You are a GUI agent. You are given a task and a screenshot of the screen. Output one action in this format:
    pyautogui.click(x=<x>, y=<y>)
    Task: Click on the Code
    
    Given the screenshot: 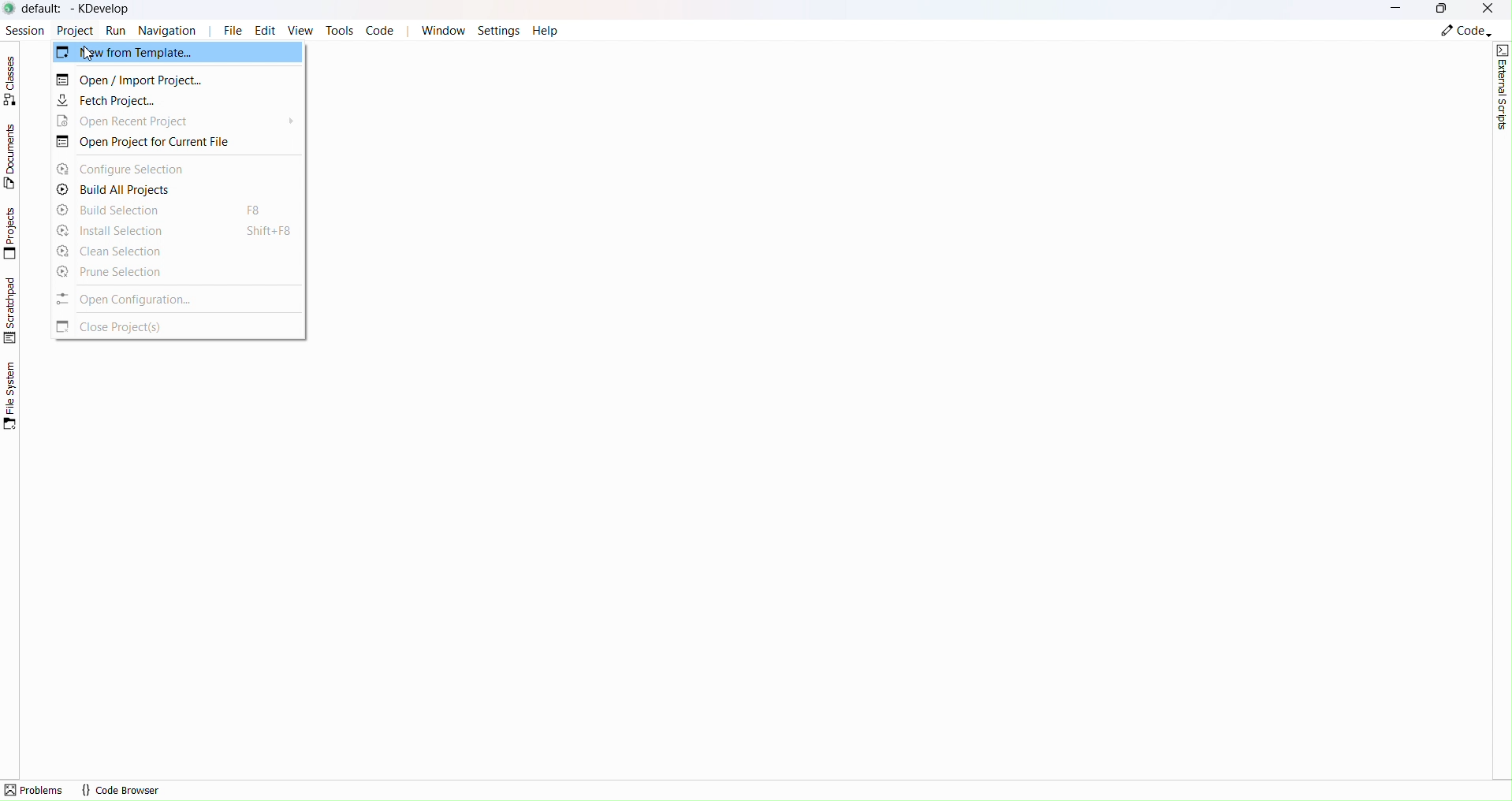 What is the action you would take?
    pyautogui.click(x=1465, y=32)
    